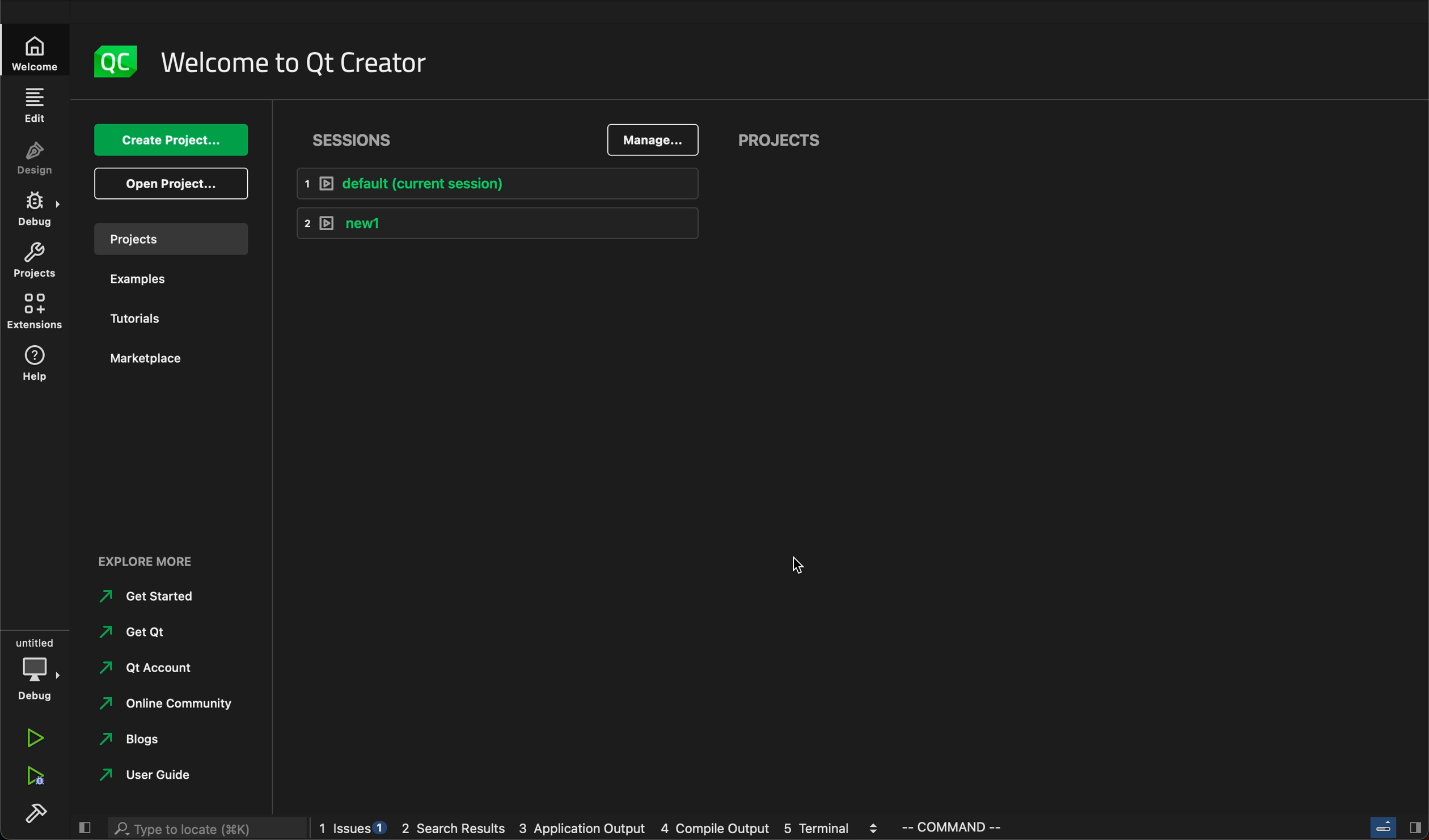 This screenshot has height=840, width=1429. I want to click on get, so click(147, 631).